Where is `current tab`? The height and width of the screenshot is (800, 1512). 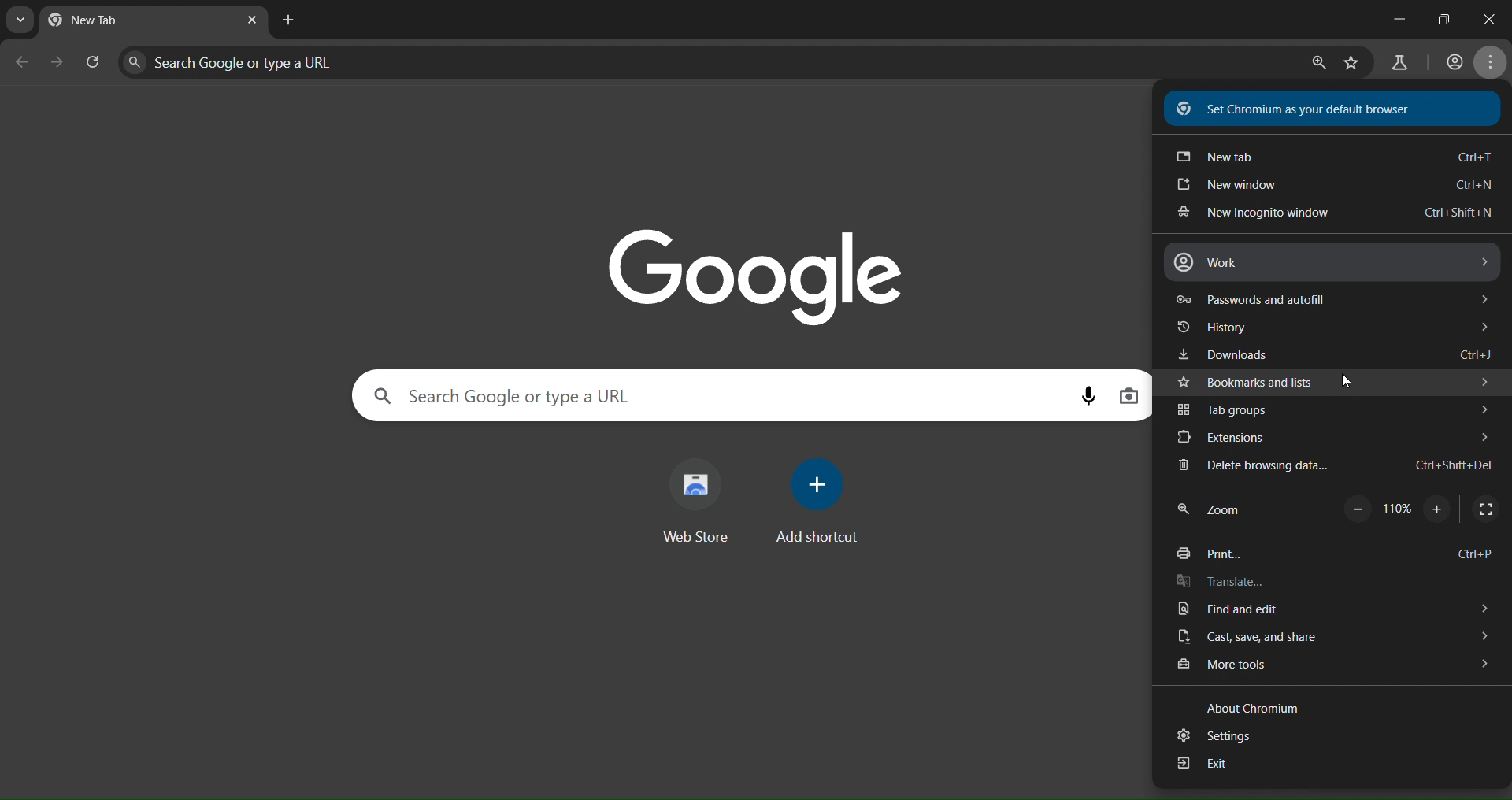
current tab is located at coordinates (98, 20).